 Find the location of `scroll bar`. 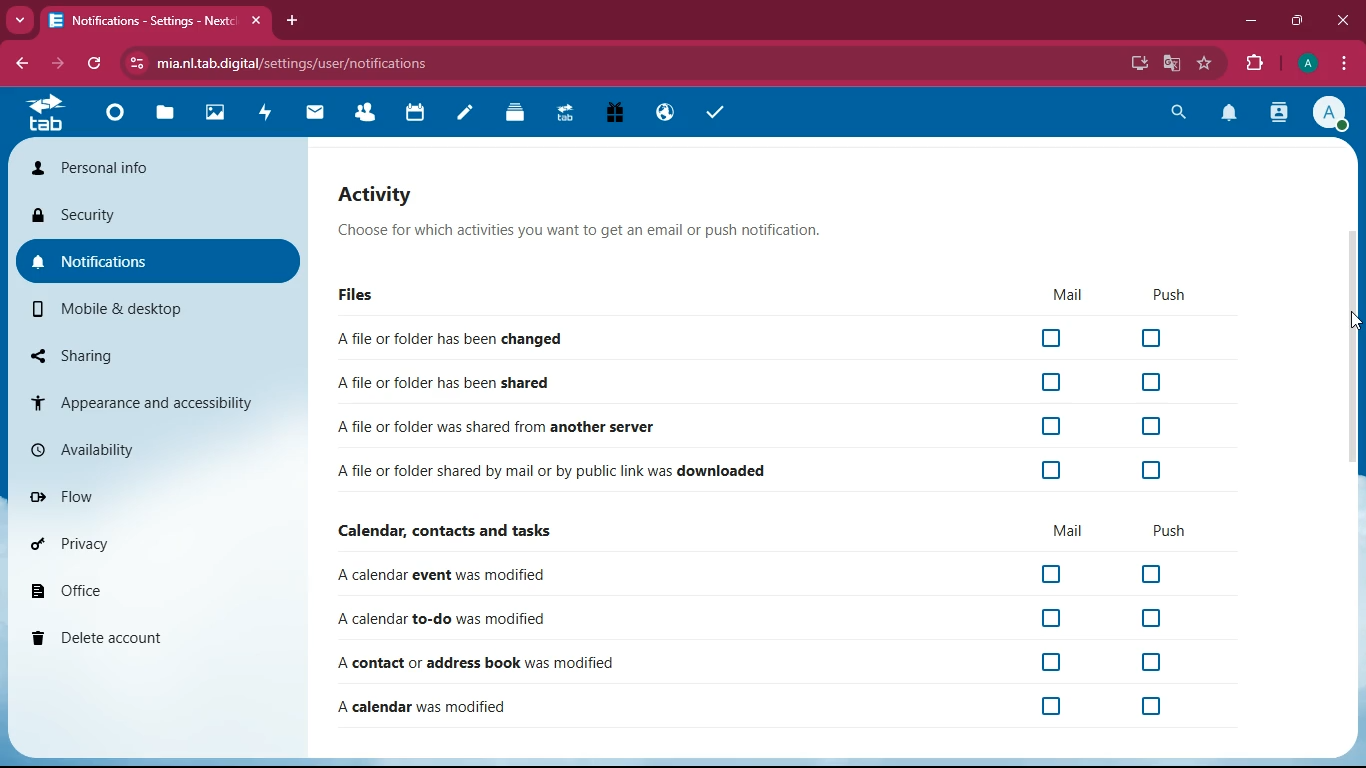

scroll bar is located at coordinates (1349, 343).